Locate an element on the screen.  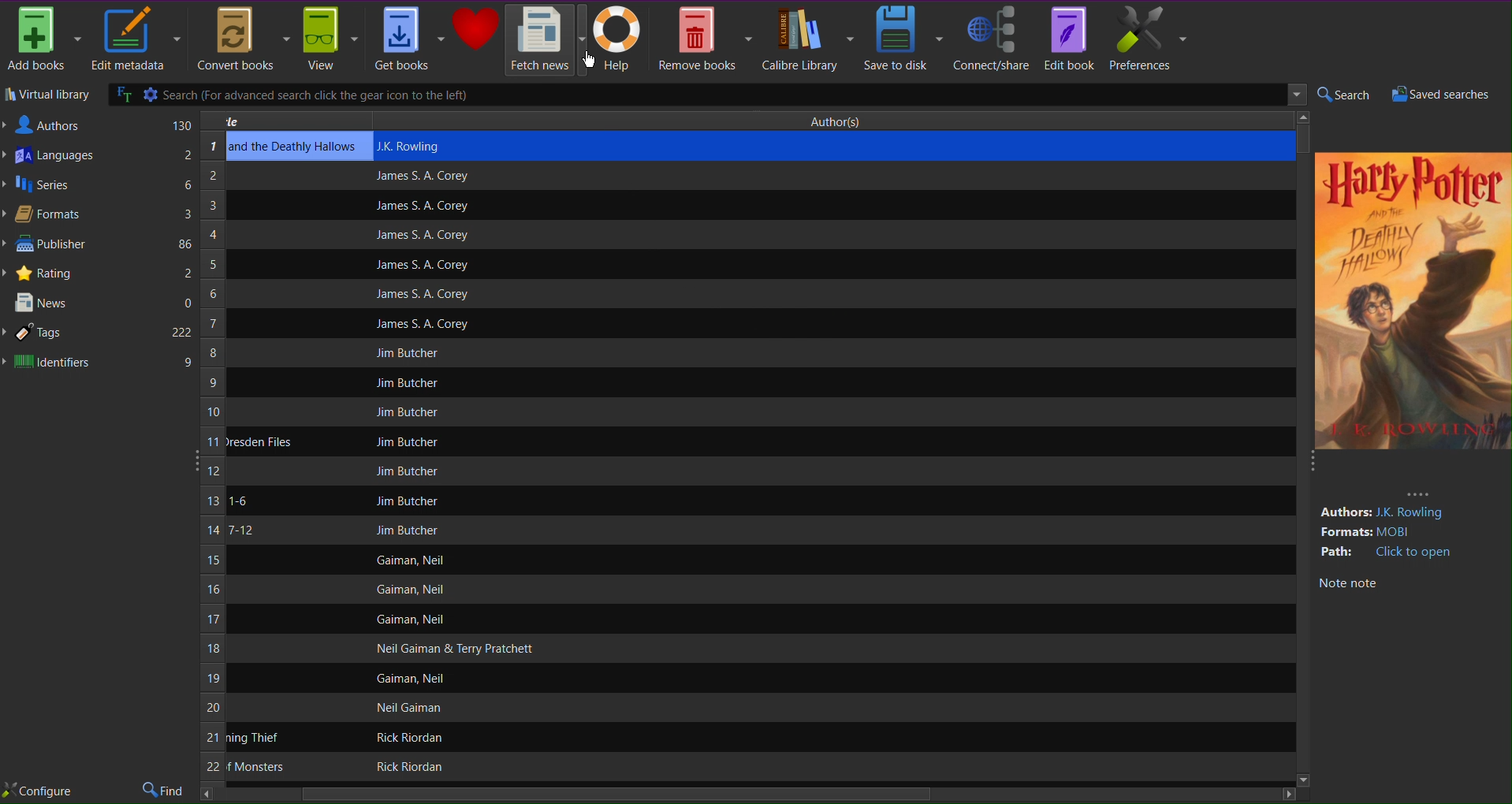
Collapse is located at coordinates (192, 458).